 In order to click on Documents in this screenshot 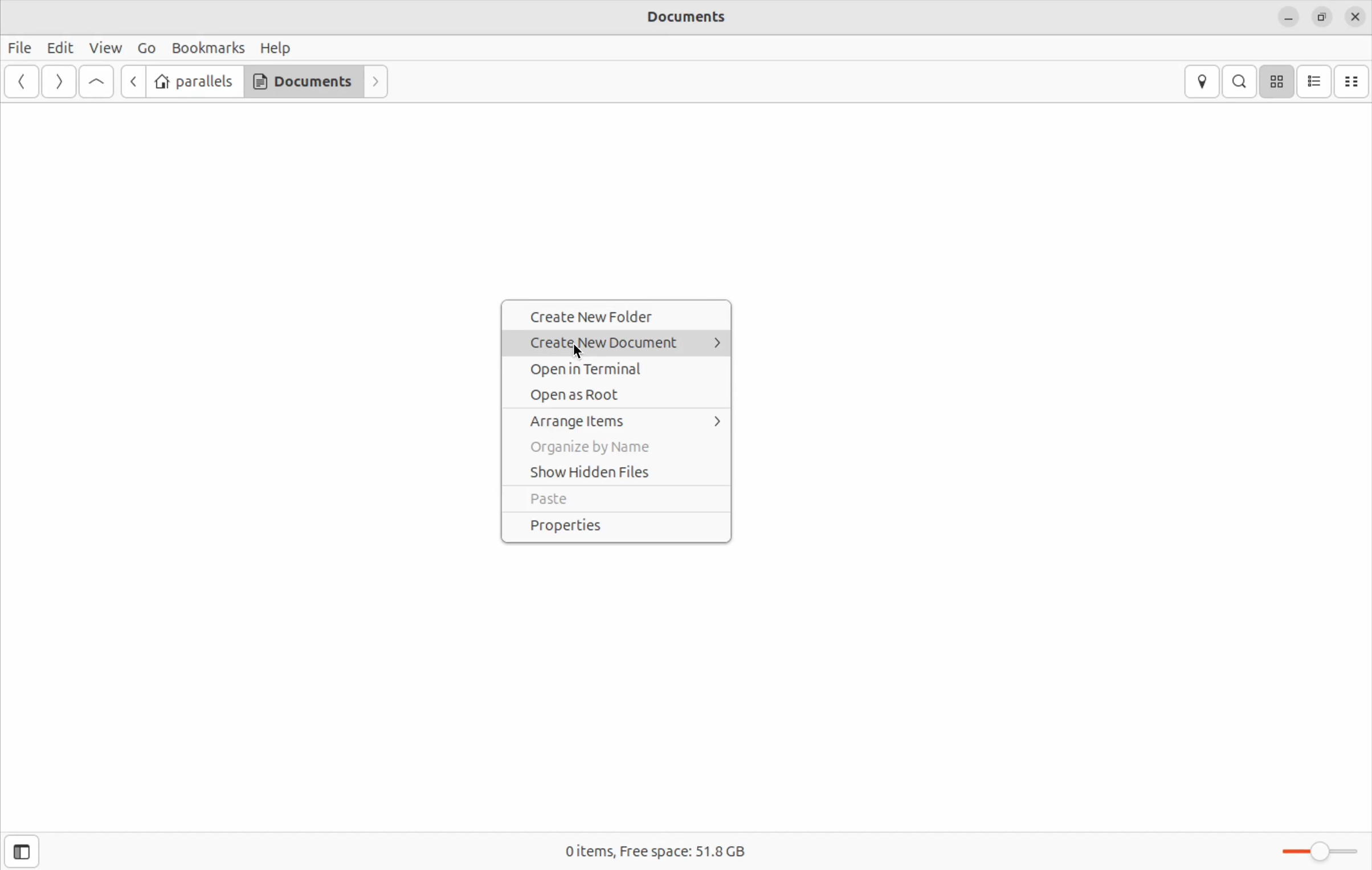, I will do `click(702, 19)`.